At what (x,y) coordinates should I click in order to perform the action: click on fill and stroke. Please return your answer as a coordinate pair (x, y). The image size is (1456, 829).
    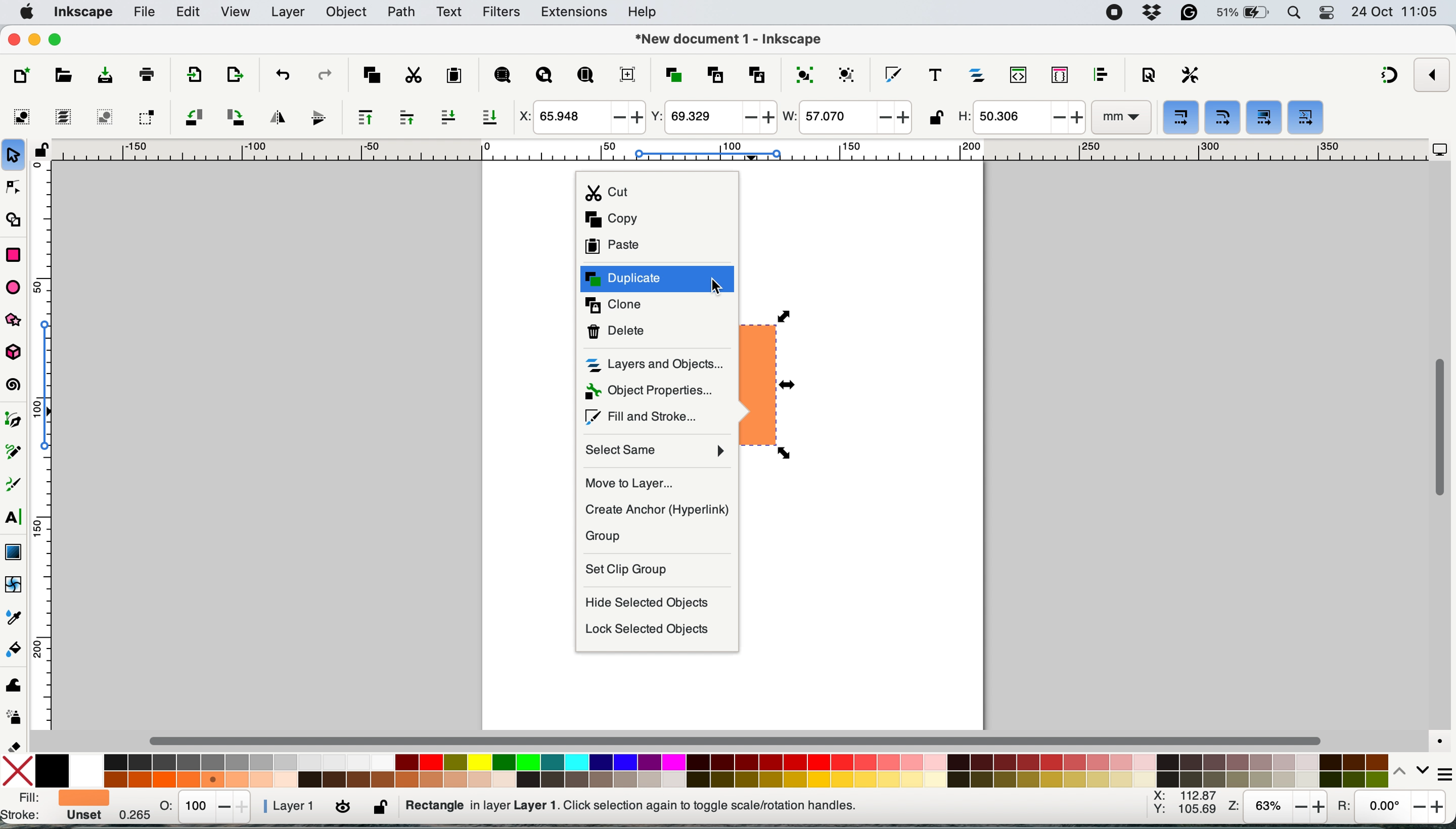
    Looking at the image, I should click on (893, 72).